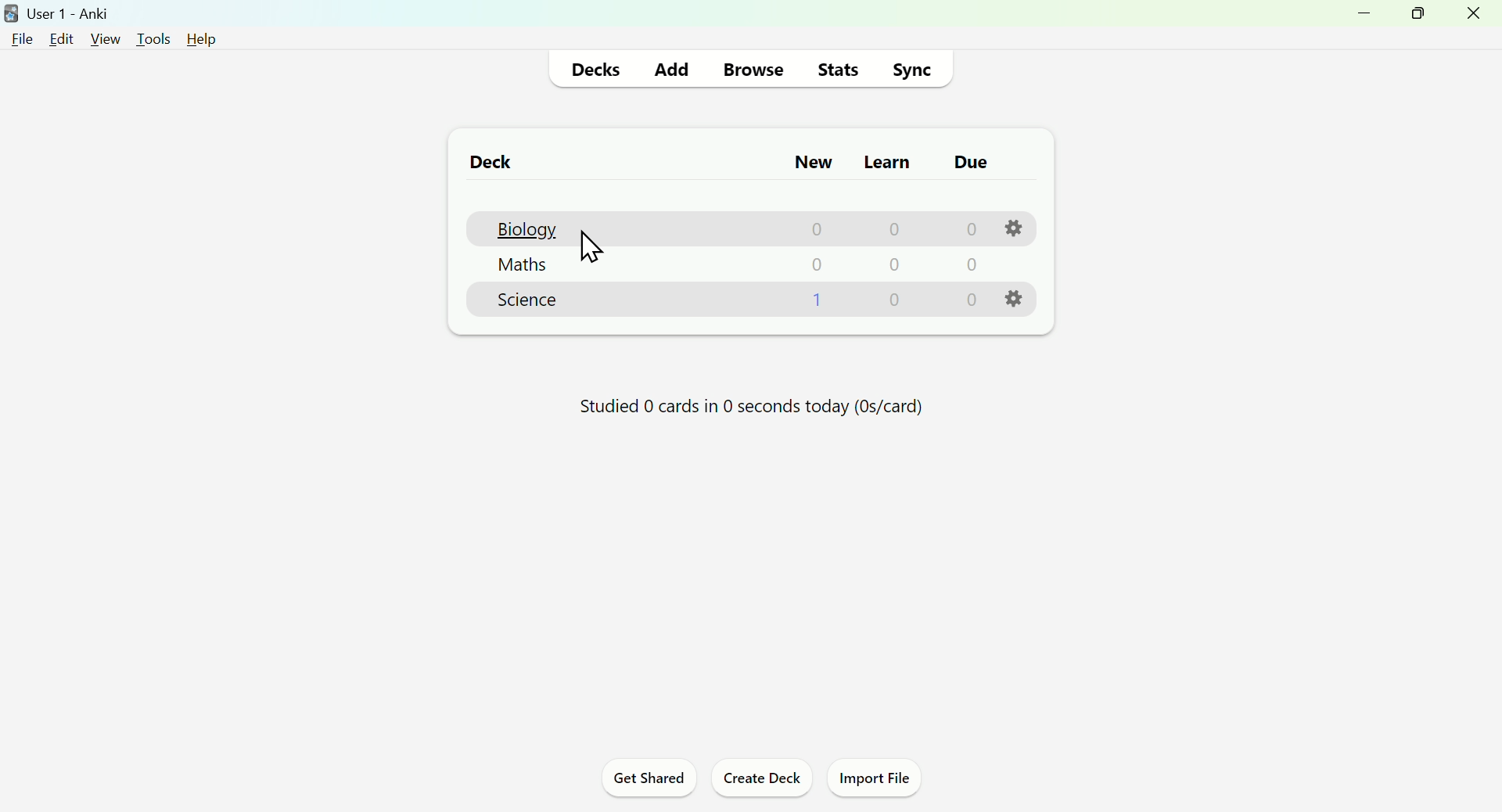 Image resolution: width=1502 pixels, height=812 pixels. I want to click on edit, so click(62, 38).